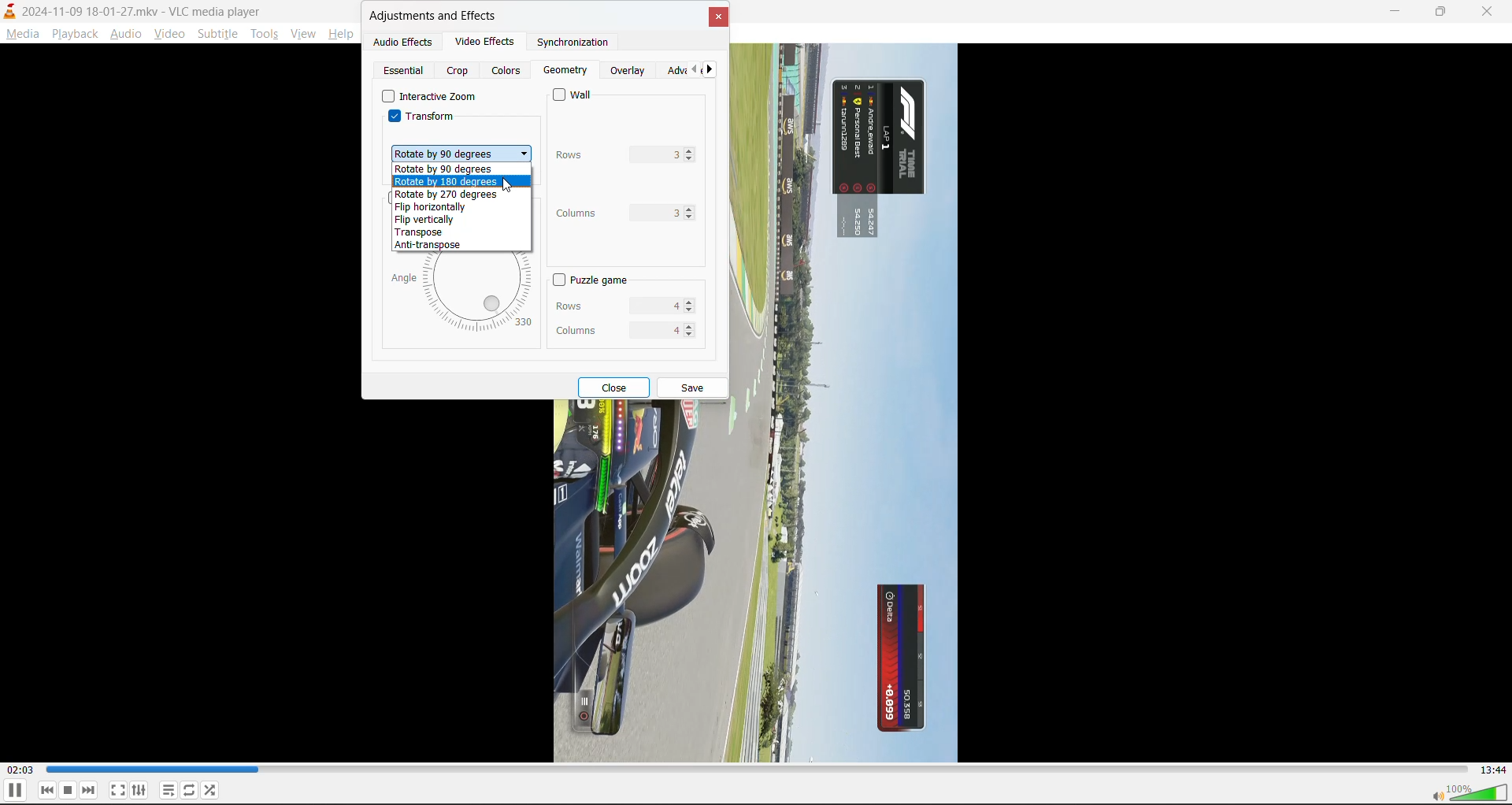 Image resolution: width=1512 pixels, height=805 pixels. What do you see at coordinates (169, 37) in the screenshot?
I see `video` at bounding box center [169, 37].